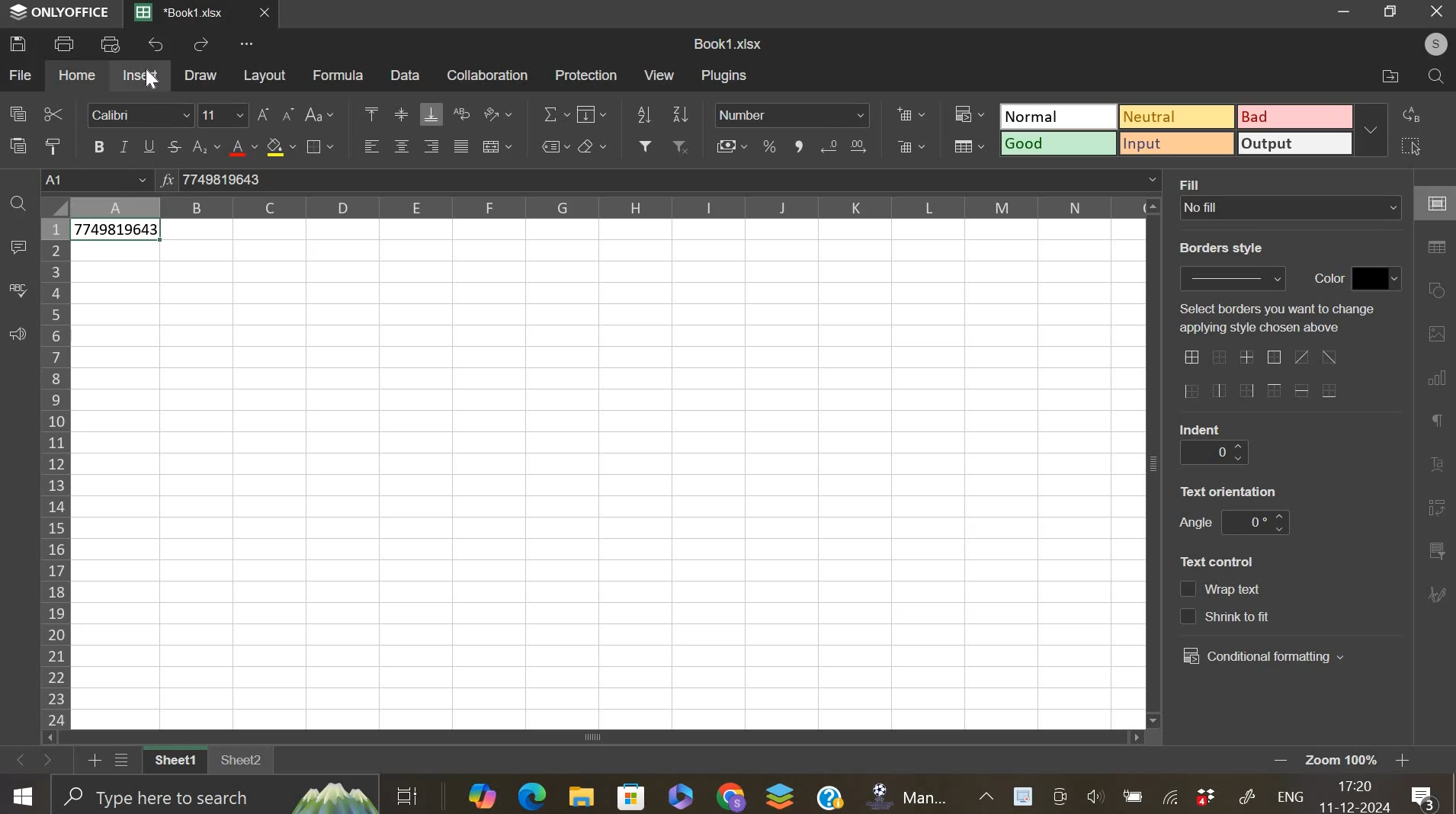  I want to click on layout, so click(266, 75).